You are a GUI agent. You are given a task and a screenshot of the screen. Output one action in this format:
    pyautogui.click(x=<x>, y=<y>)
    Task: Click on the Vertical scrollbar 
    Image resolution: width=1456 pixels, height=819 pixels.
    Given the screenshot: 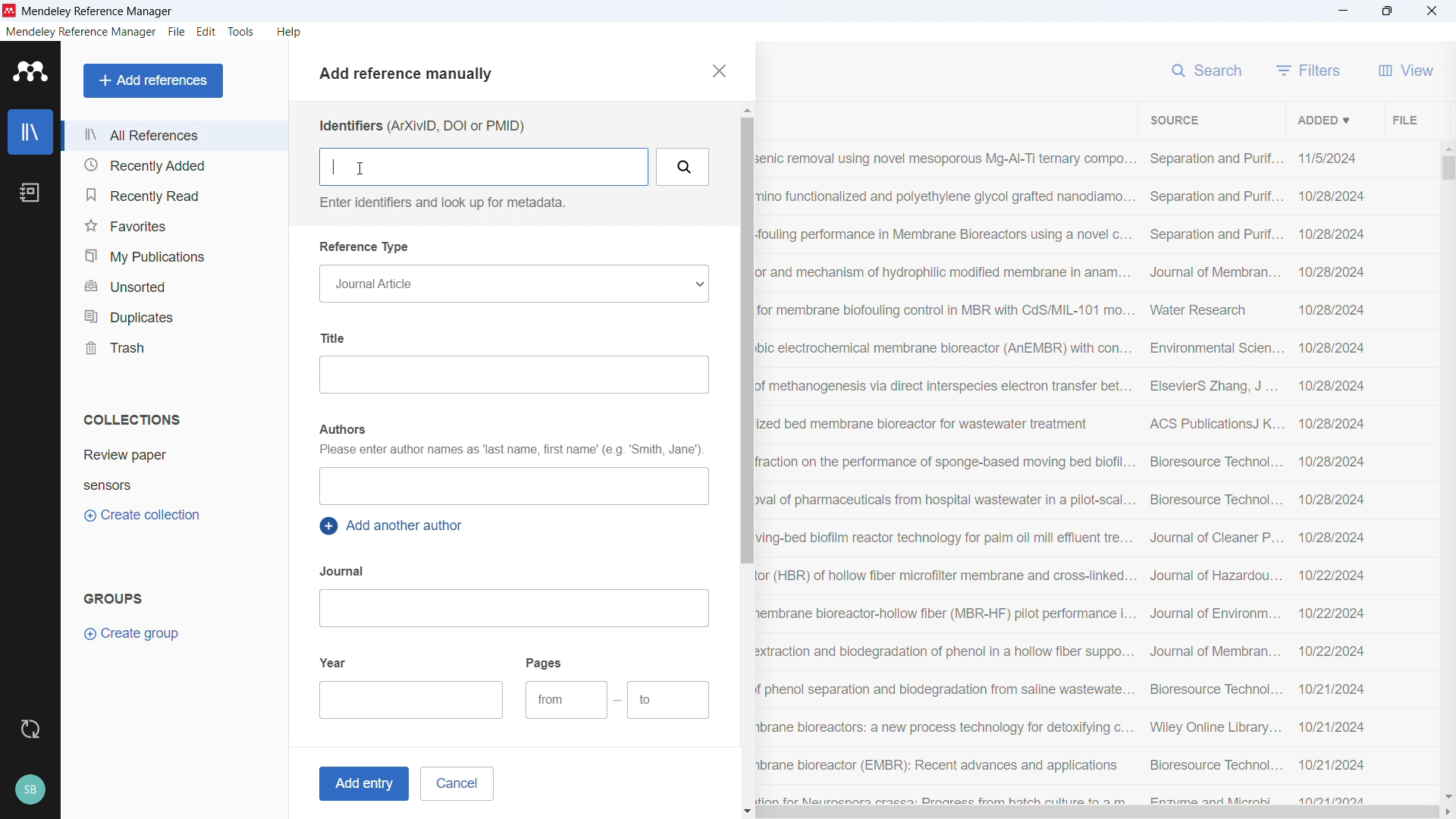 What is the action you would take?
    pyautogui.click(x=1448, y=168)
    